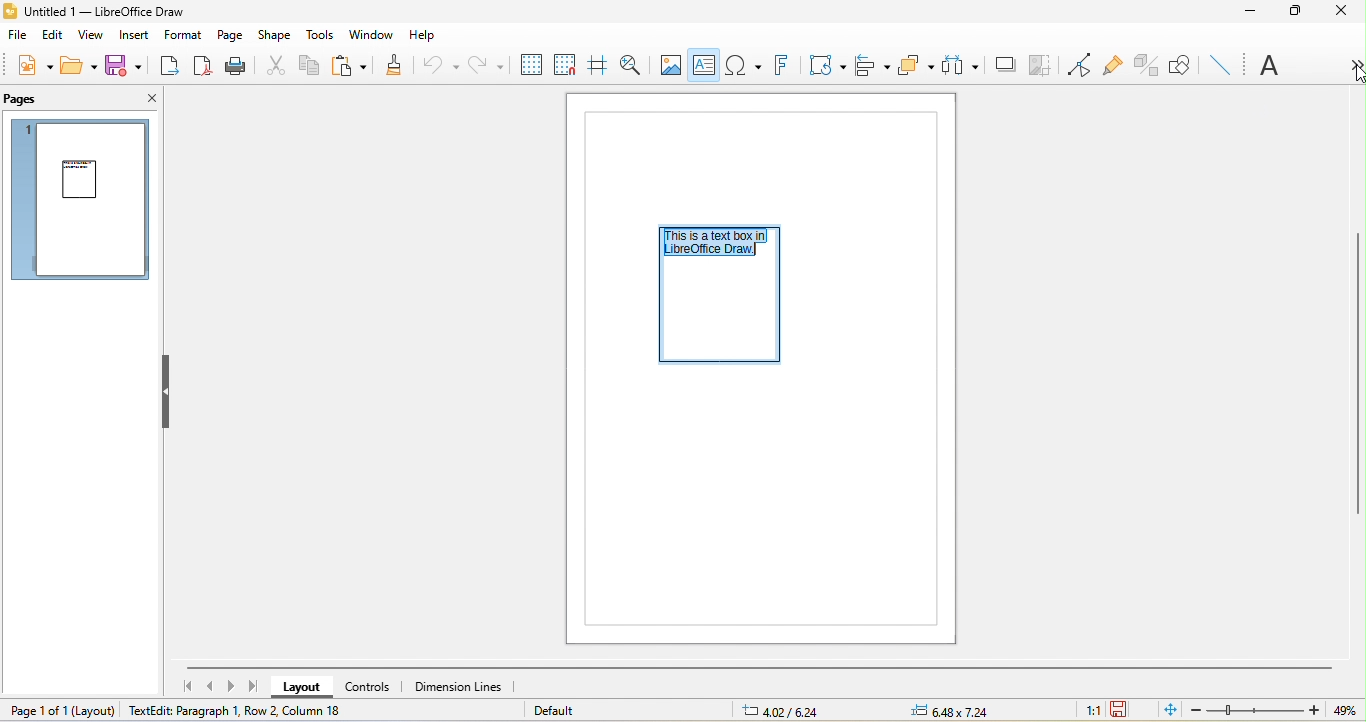  What do you see at coordinates (745, 66) in the screenshot?
I see `special character` at bounding box center [745, 66].